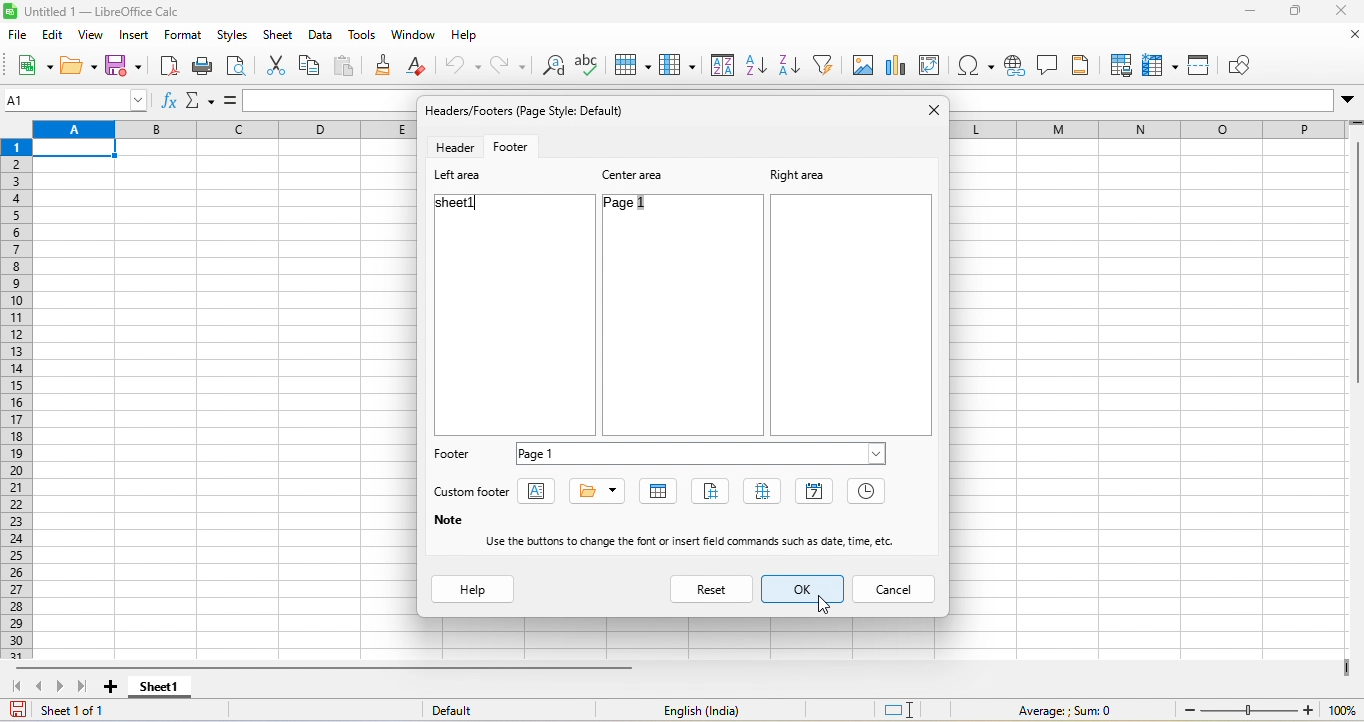  What do you see at coordinates (1355, 265) in the screenshot?
I see `vertical scroll bar` at bounding box center [1355, 265].